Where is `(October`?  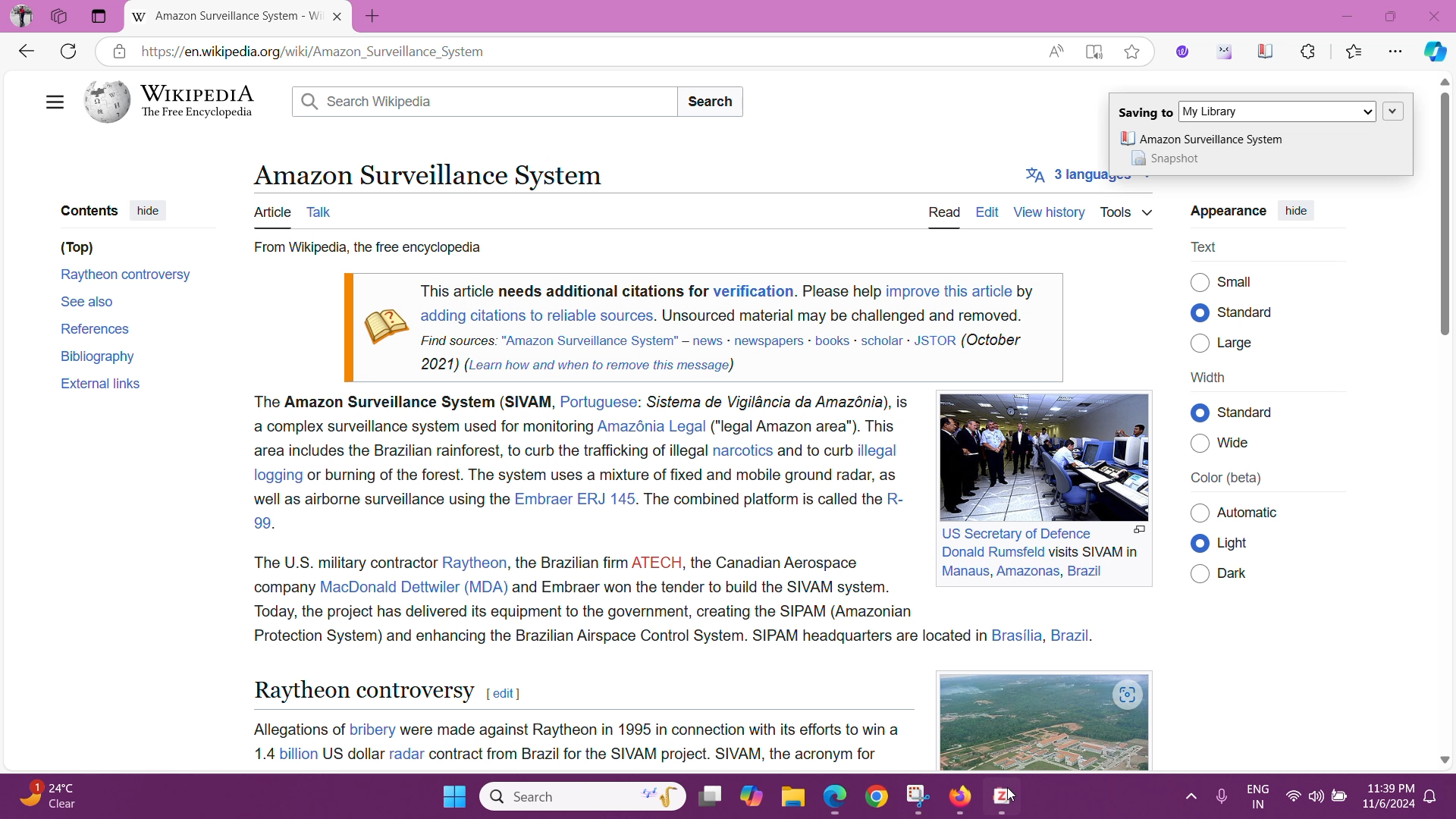 (October is located at coordinates (993, 340).